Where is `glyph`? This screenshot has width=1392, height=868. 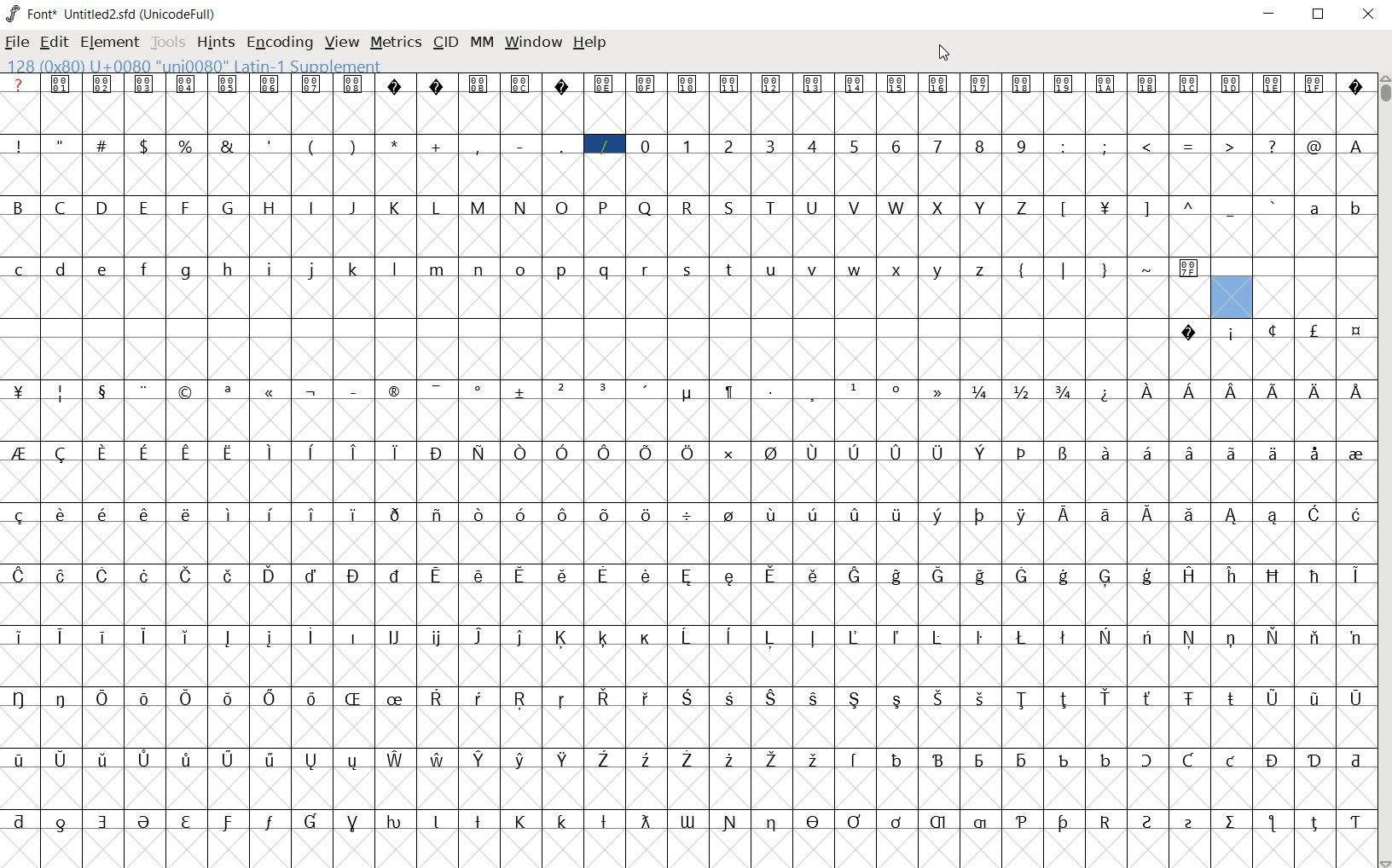
glyph is located at coordinates (814, 821).